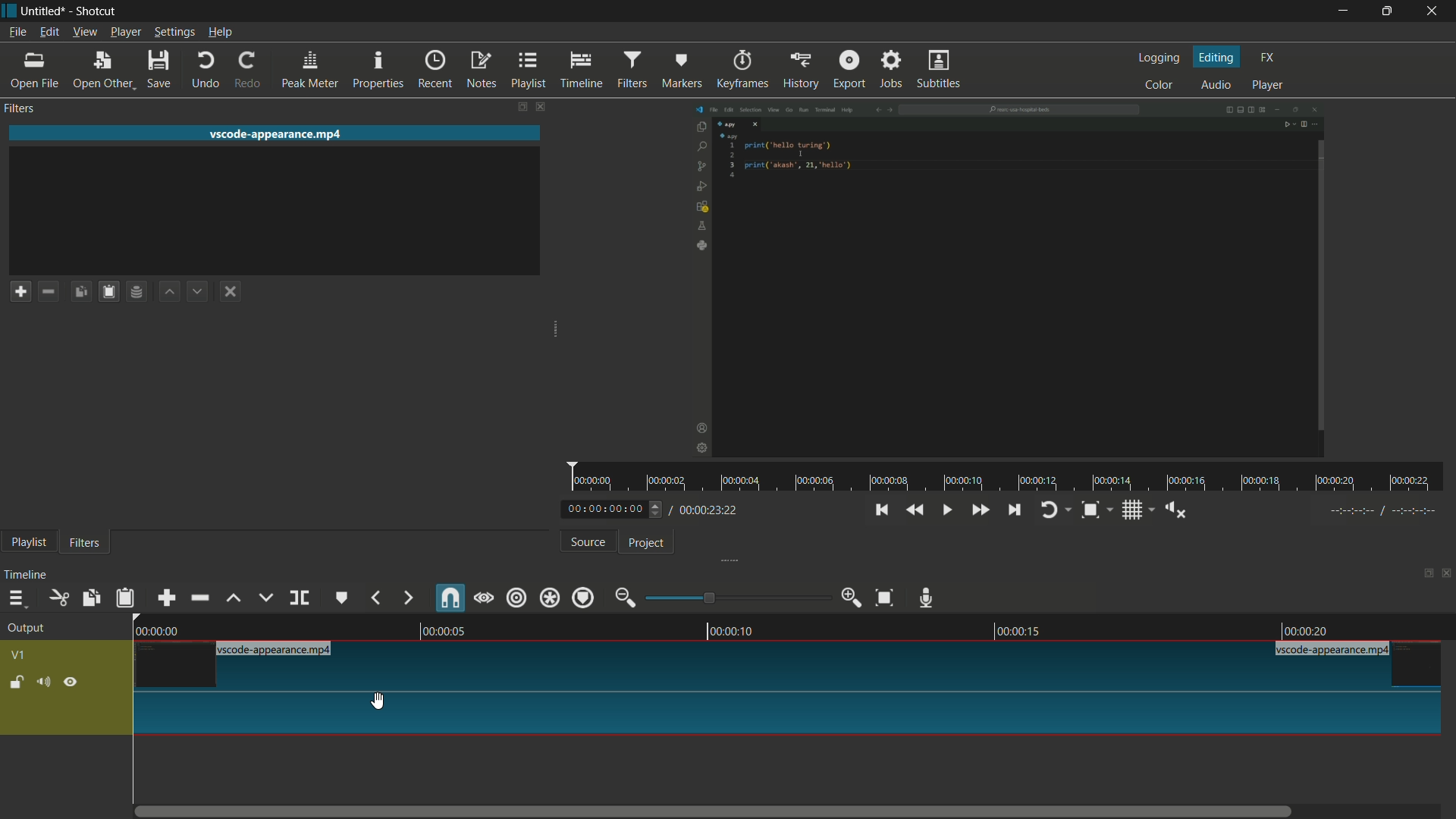  What do you see at coordinates (1267, 58) in the screenshot?
I see `fx` at bounding box center [1267, 58].